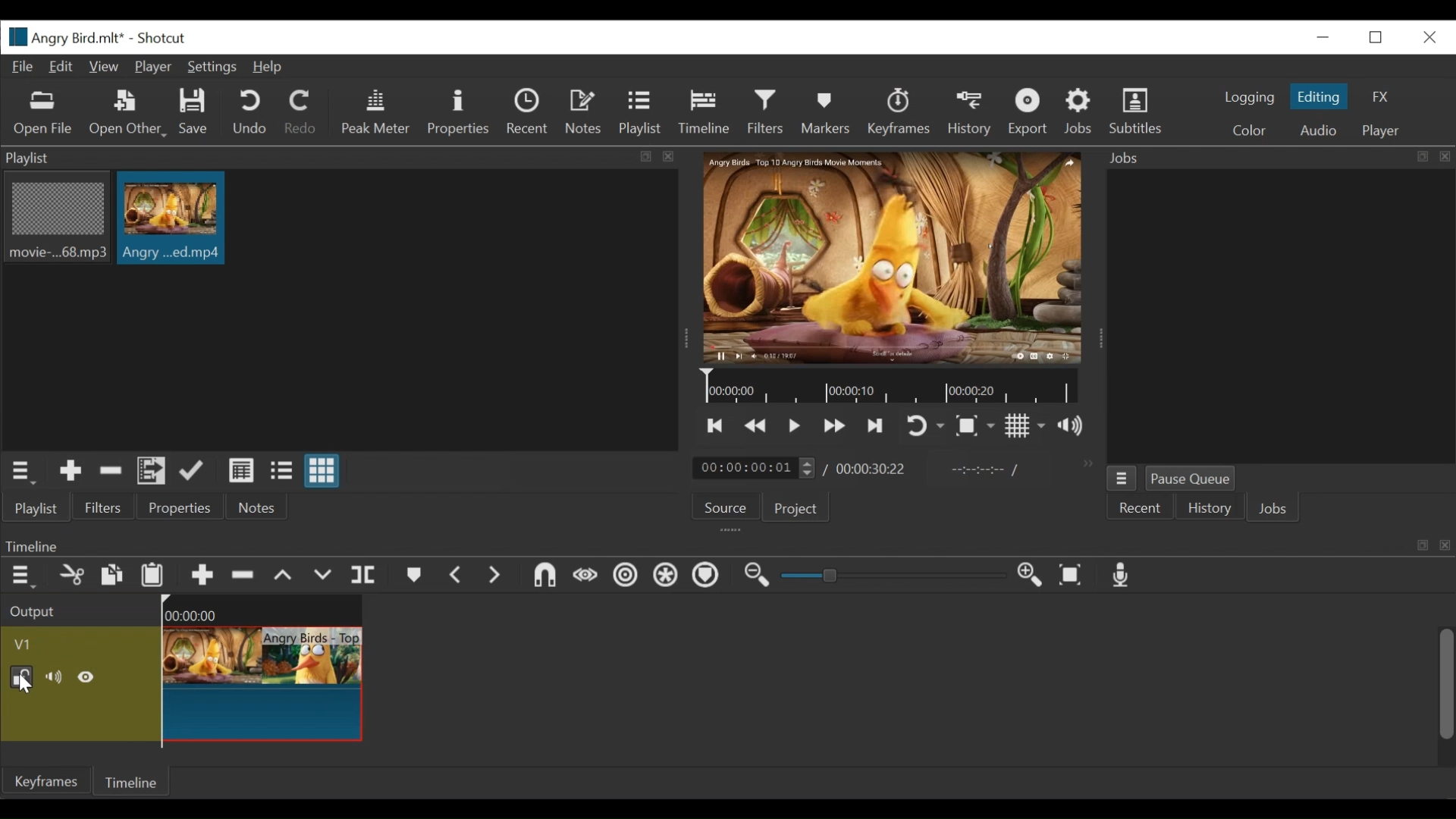 The width and height of the screenshot is (1456, 819). Describe the element at coordinates (22, 678) in the screenshot. I see `(un)lock track` at that location.